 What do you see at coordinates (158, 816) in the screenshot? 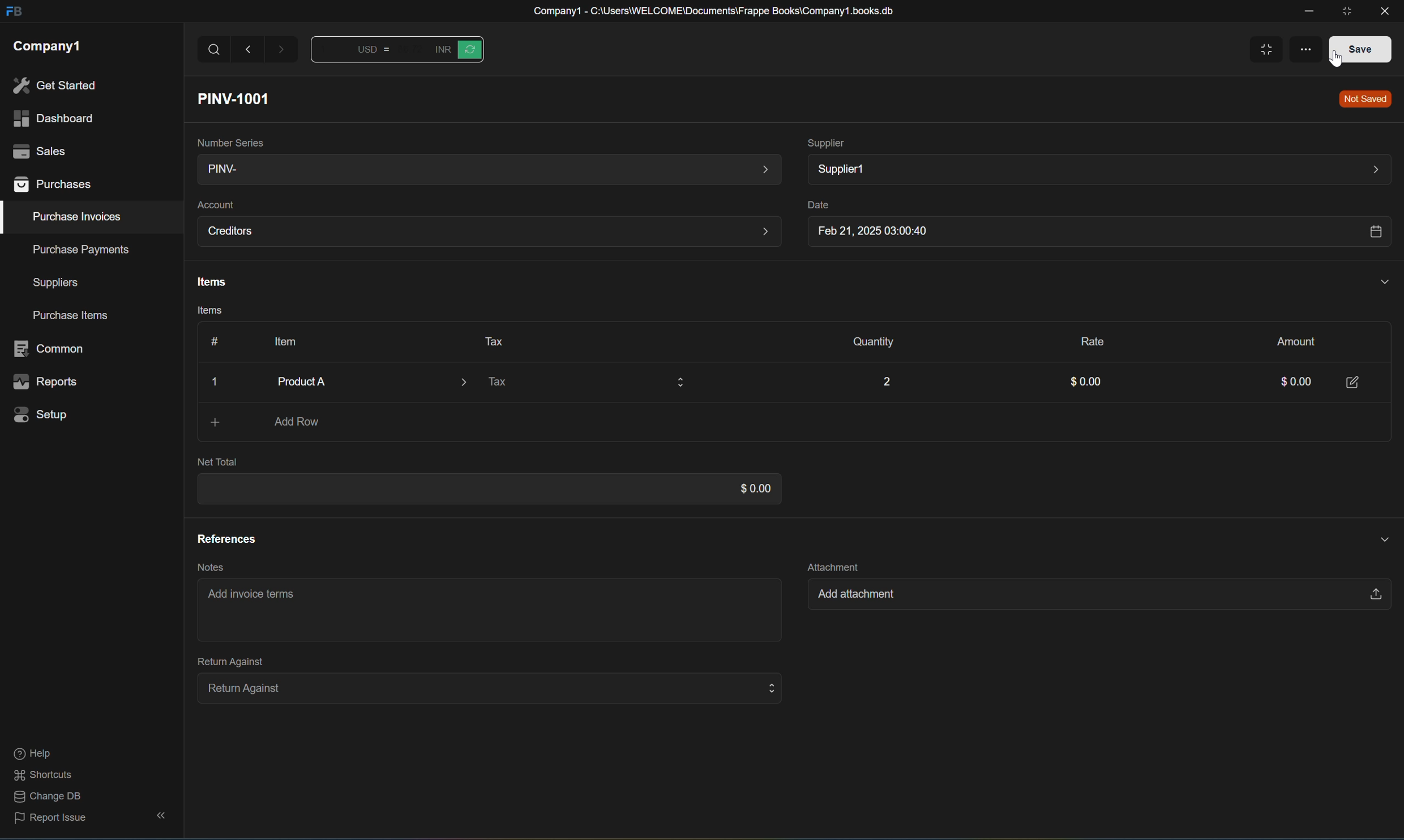
I see `hide` at bounding box center [158, 816].